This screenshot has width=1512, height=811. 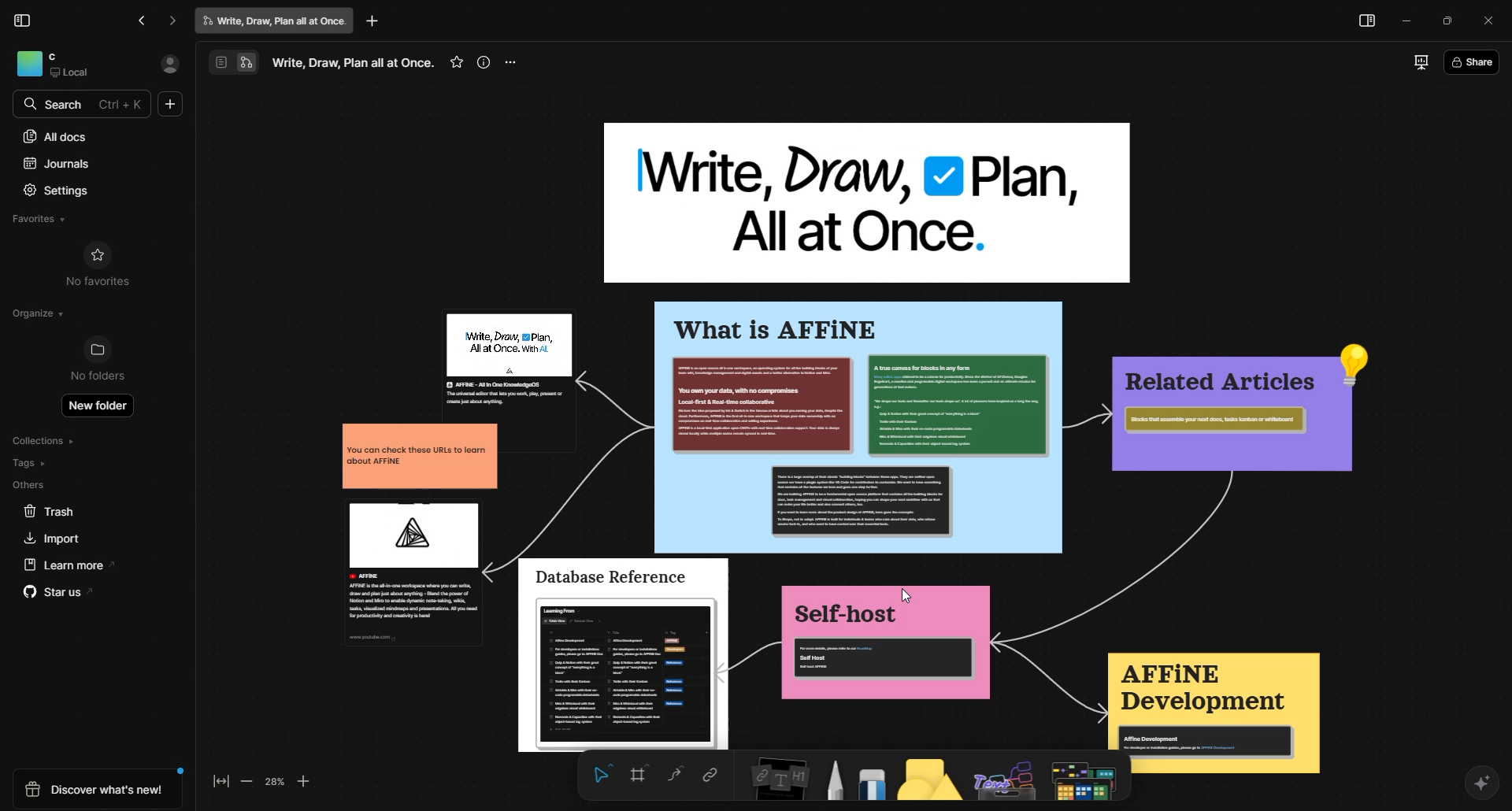 What do you see at coordinates (485, 61) in the screenshot?
I see `information` at bounding box center [485, 61].